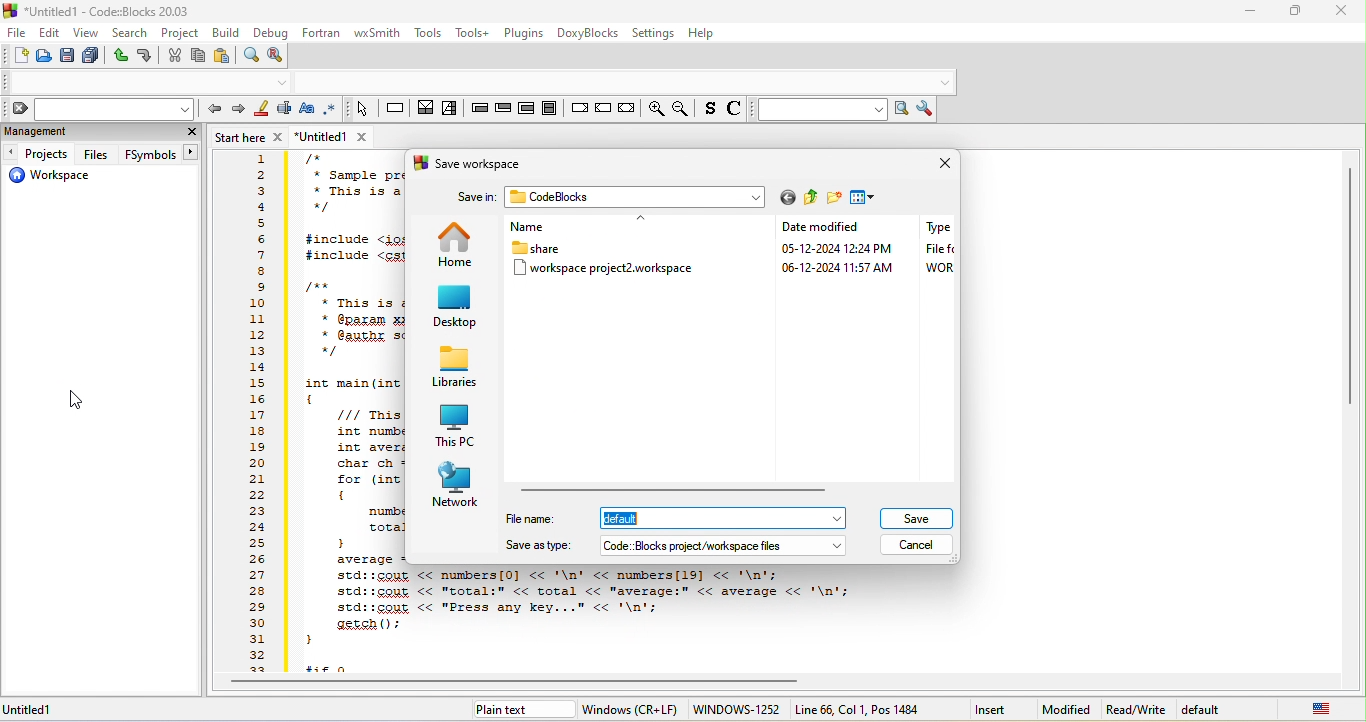  I want to click on settings, so click(653, 34).